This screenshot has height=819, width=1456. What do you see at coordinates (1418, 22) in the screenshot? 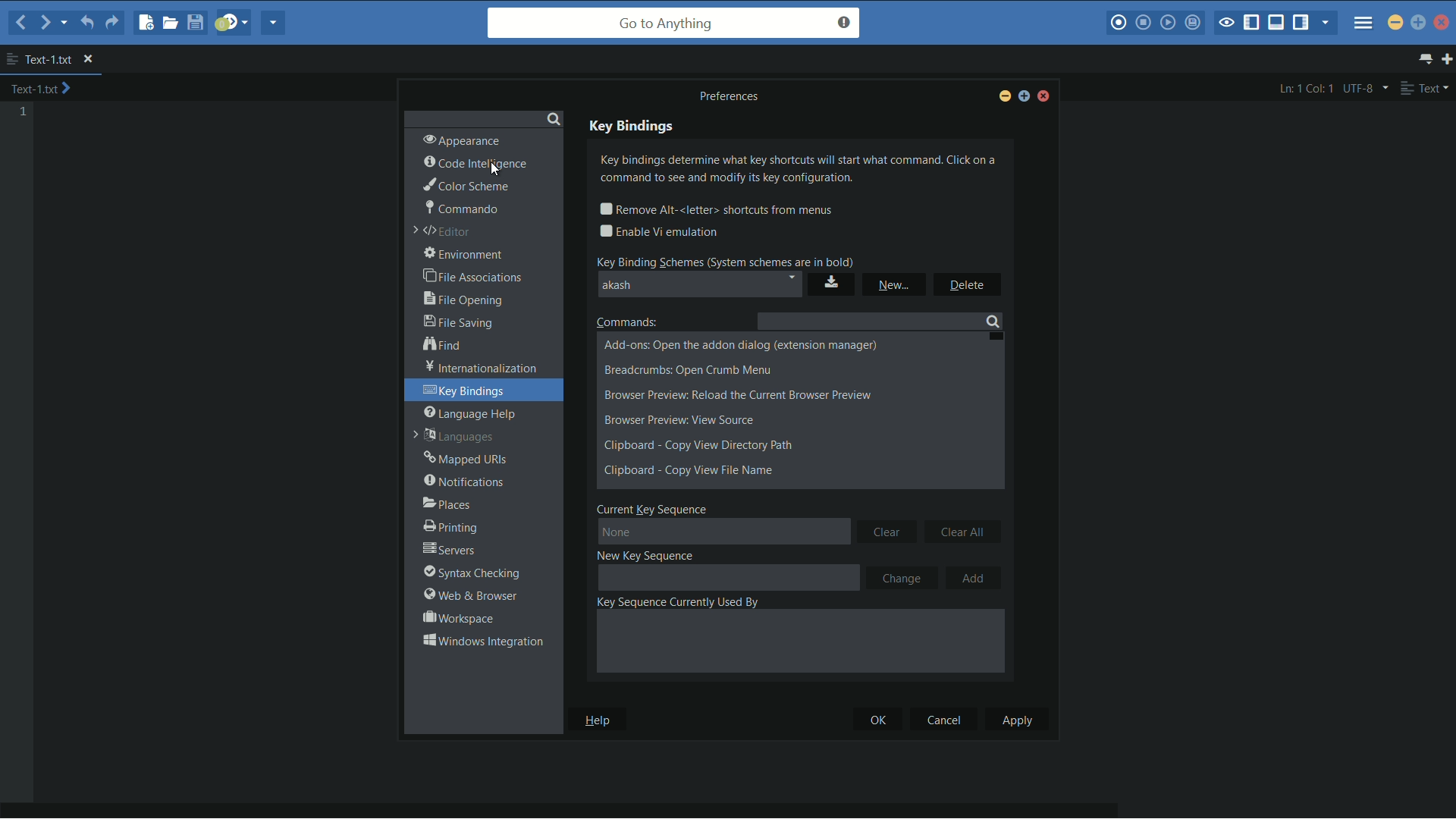
I see `maximize` at bounding box center [1418, 22].